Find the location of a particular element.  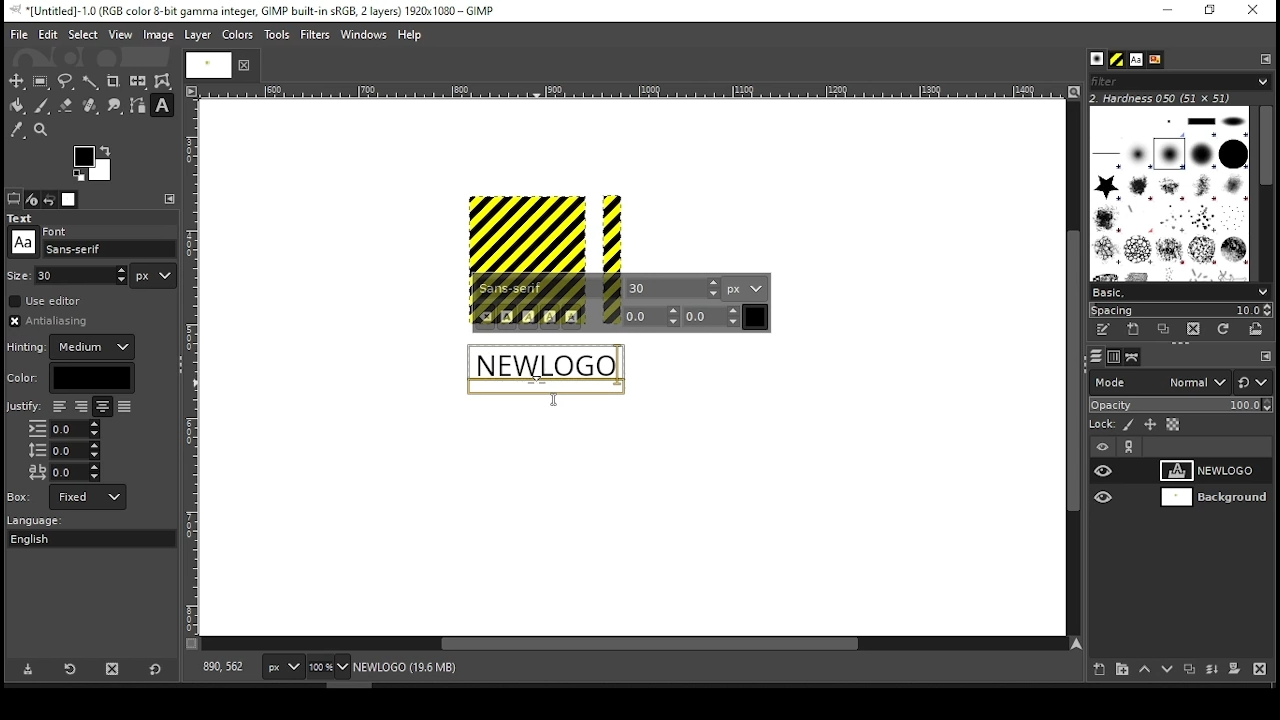

view is located at coordinates (121, 36).